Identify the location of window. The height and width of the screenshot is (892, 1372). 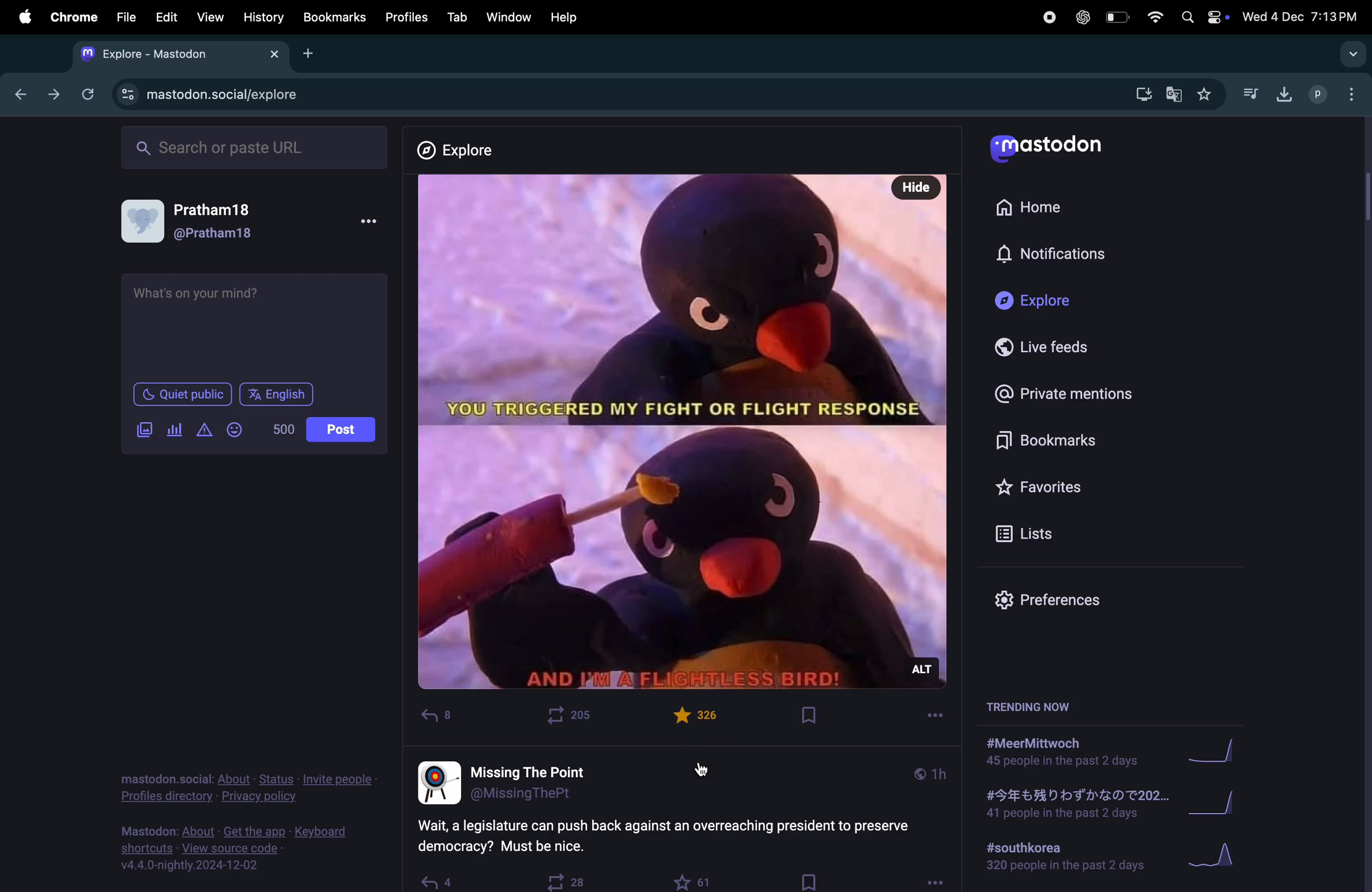
(508, 16).